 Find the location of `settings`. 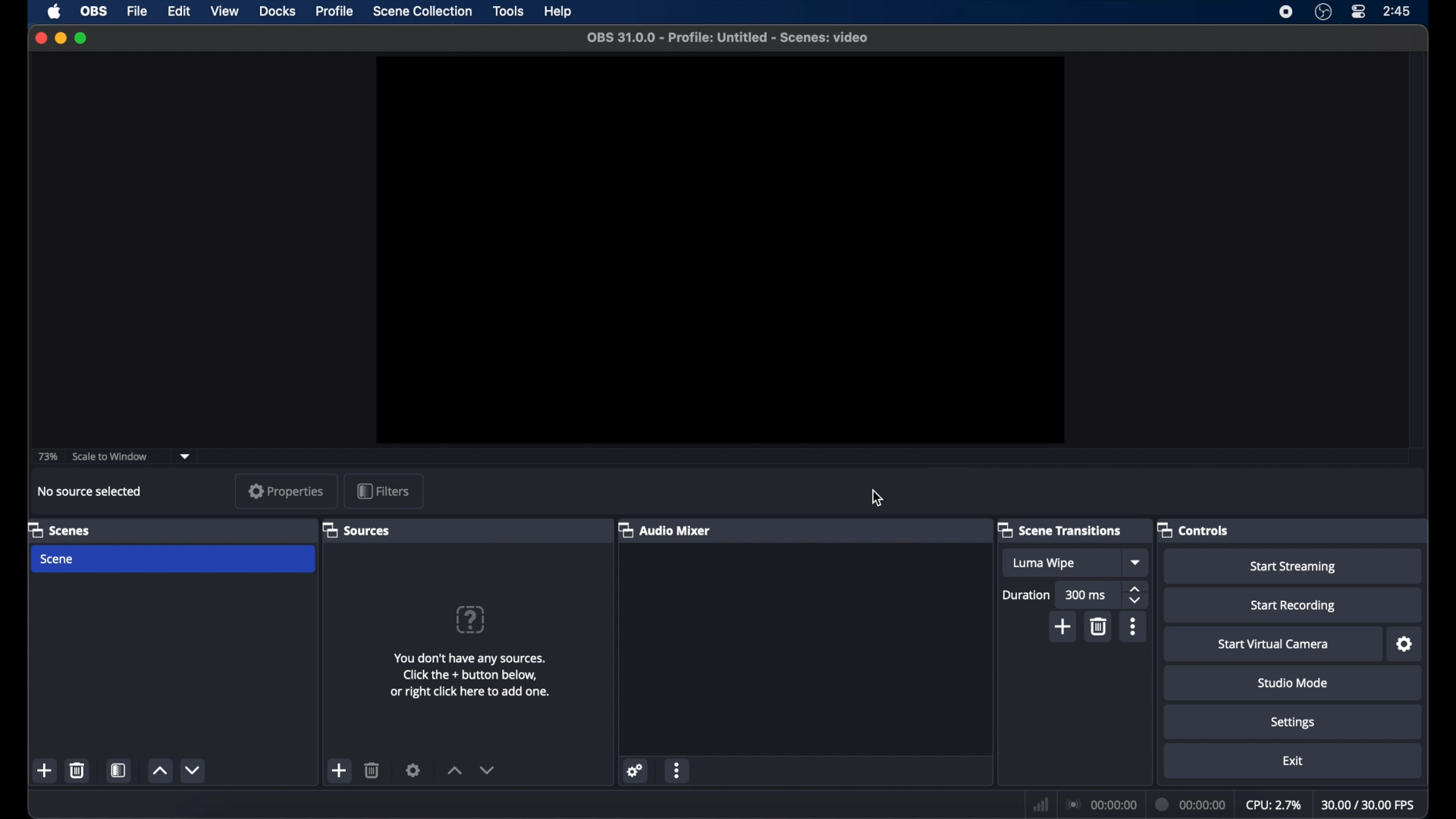

settings is located at coordinates (1403, 645).